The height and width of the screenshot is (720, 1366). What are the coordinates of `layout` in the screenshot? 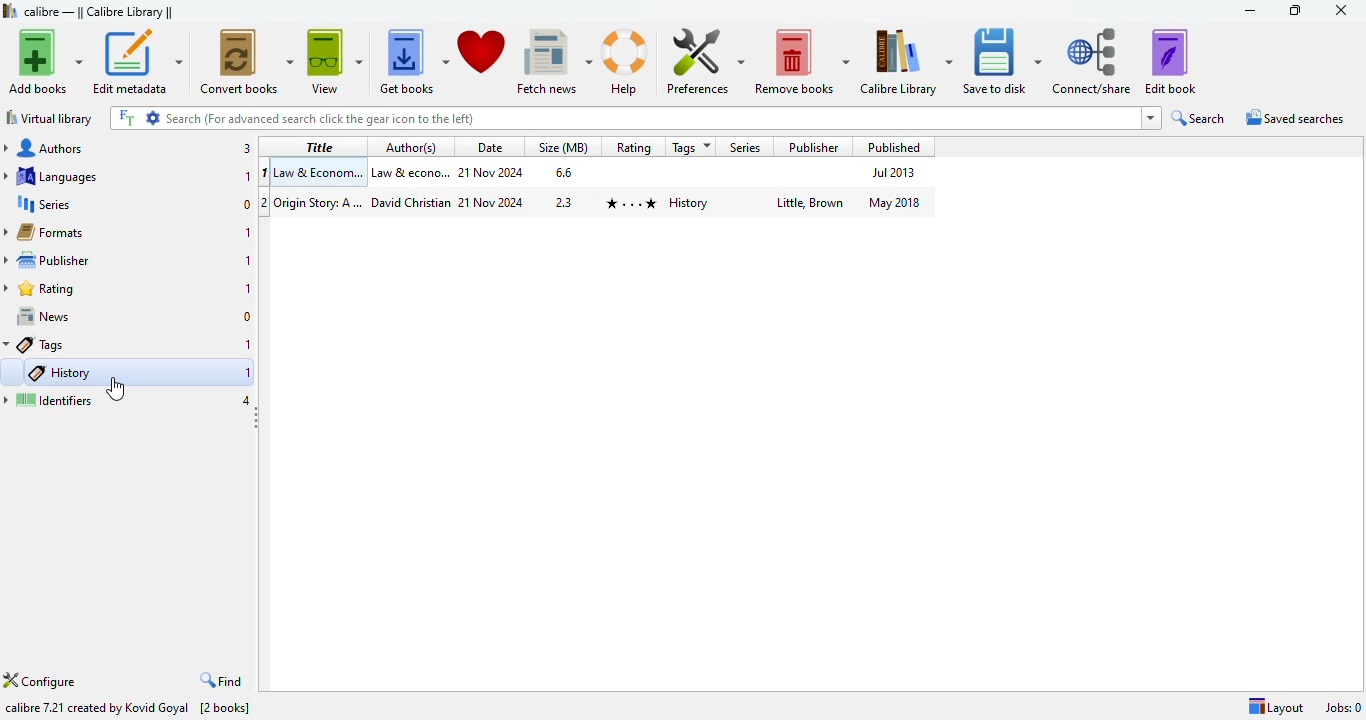 It's located at (1276, 707).